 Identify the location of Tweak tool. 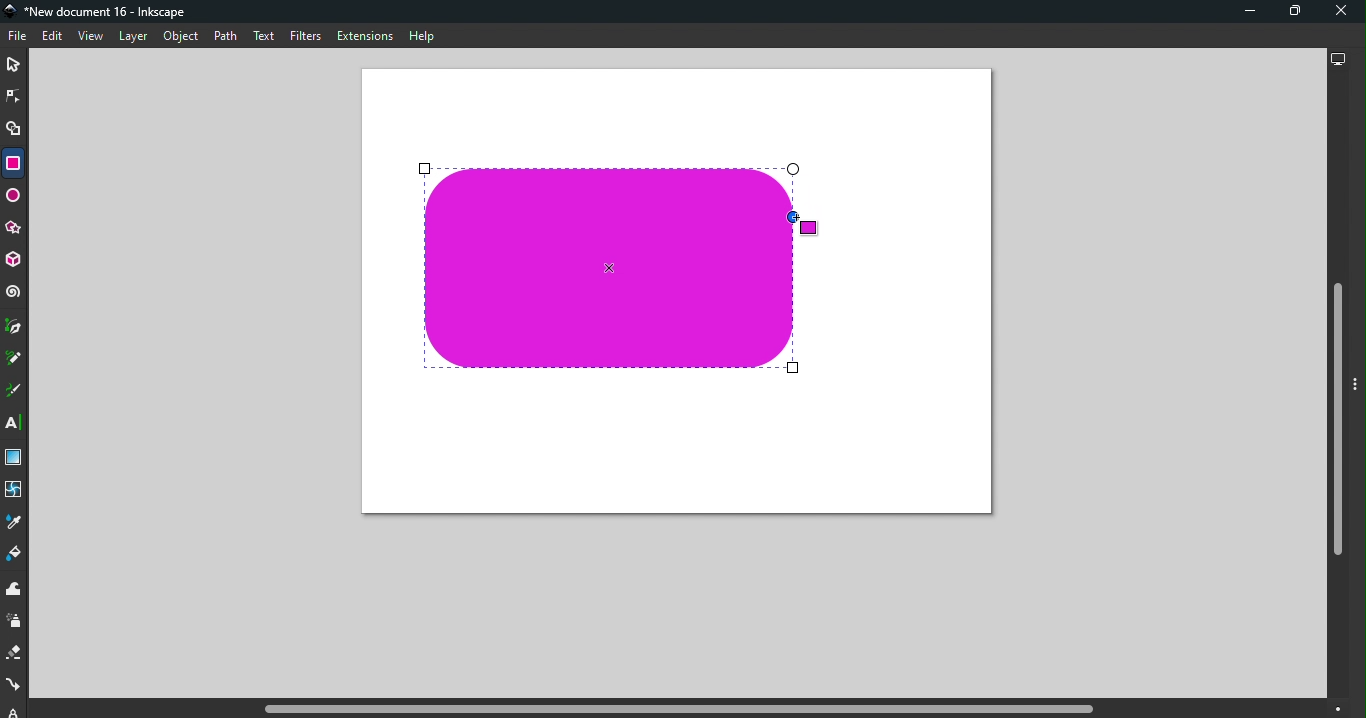
(18, 590).